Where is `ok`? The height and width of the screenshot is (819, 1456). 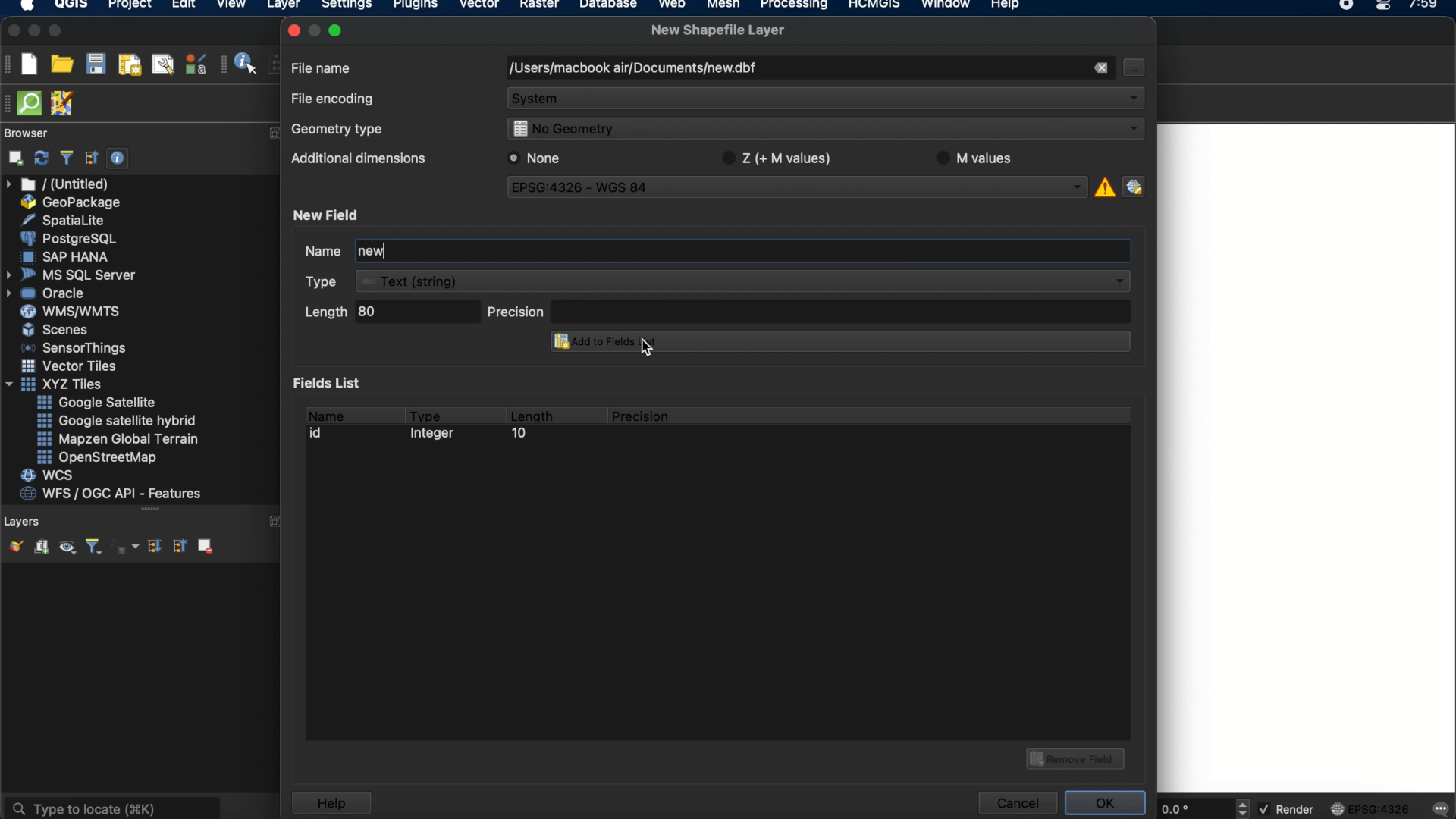 ok is located at coordinates (1107, 801).